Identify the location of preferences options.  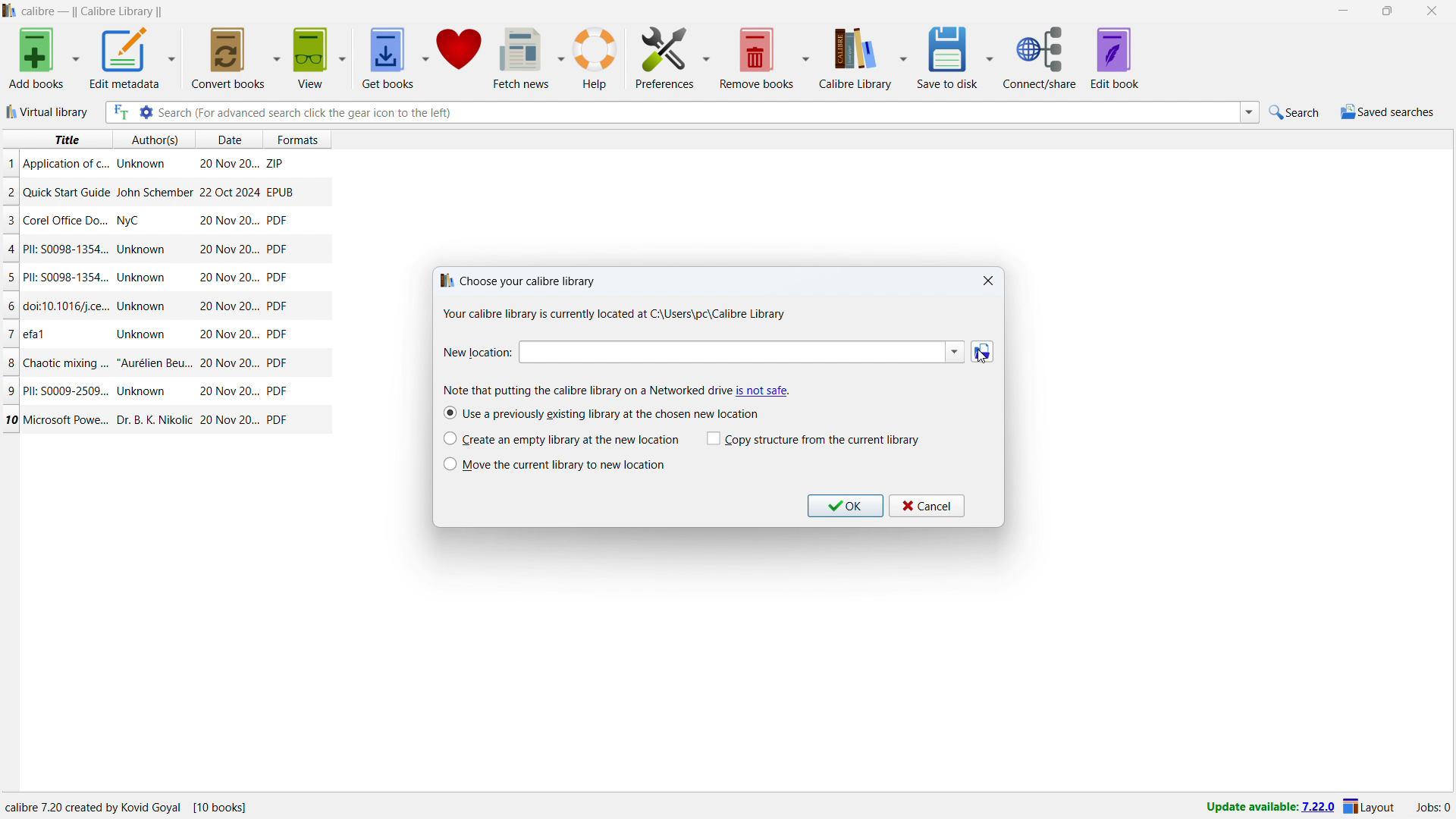
(708, 55).